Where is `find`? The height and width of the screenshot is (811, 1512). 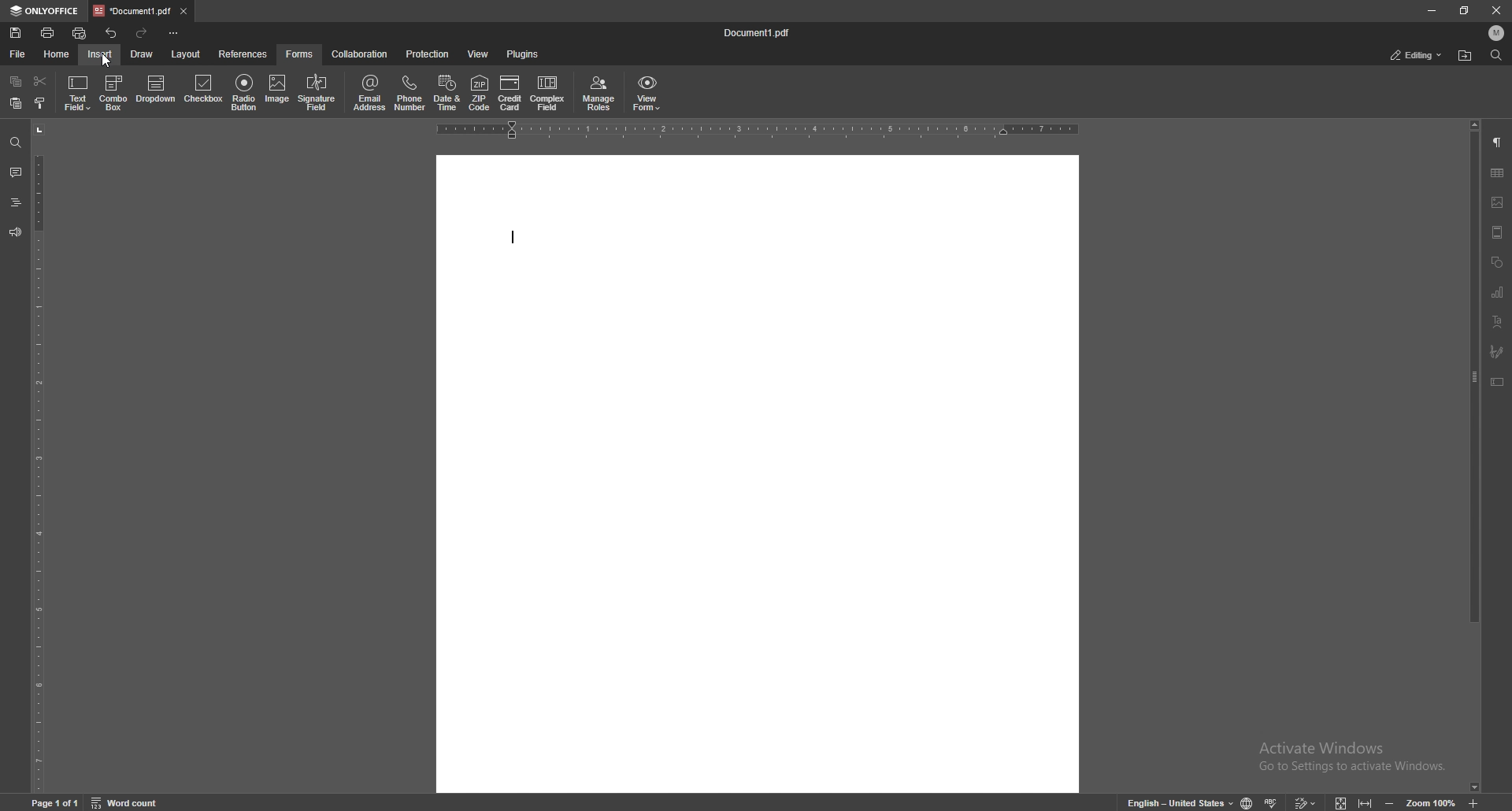 find is located at coordinates (16, 143).